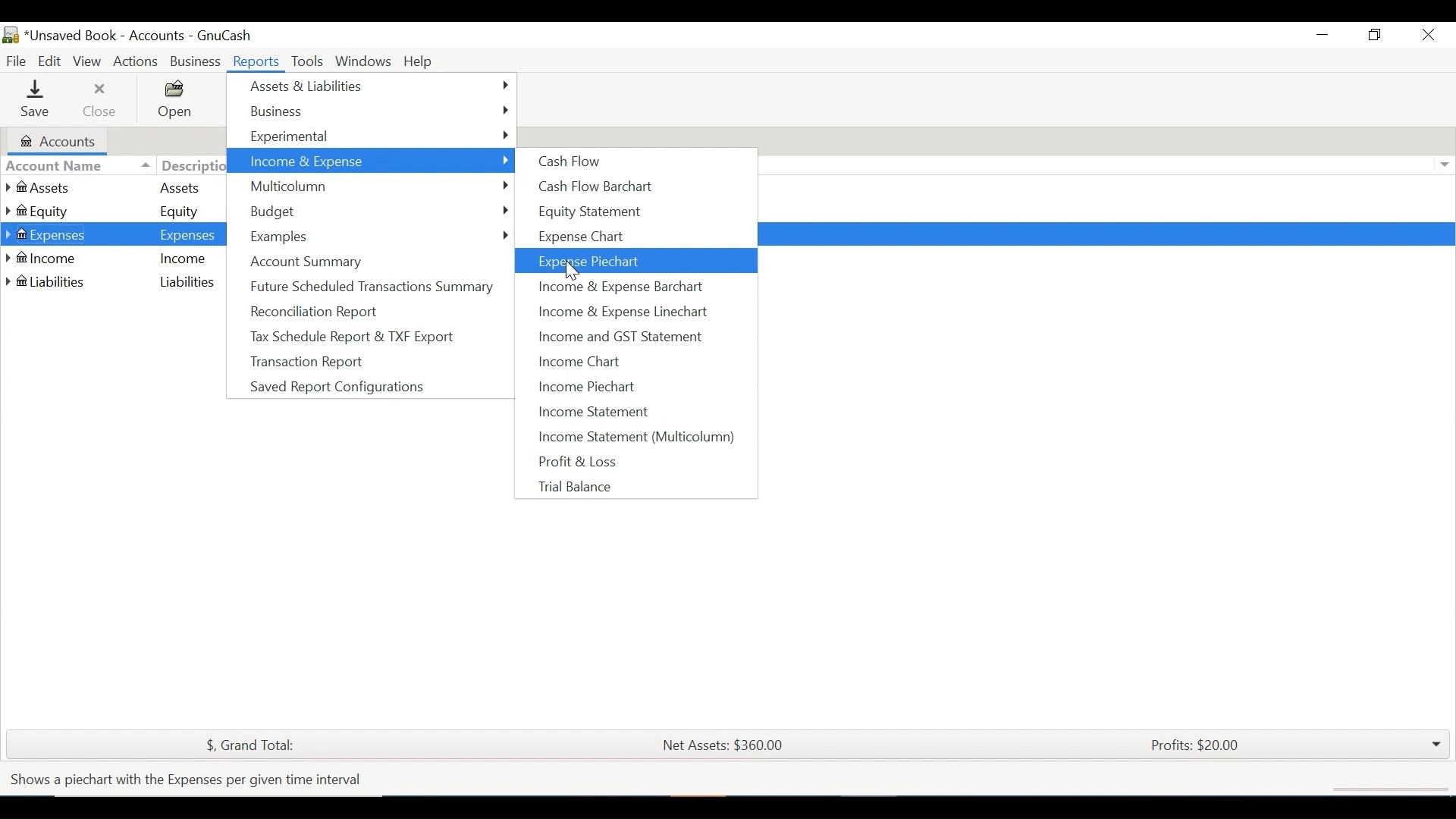  What do you see at coordinates (583, 212) in the screenshot?
I see `Equity Statement ` at bounding box center [583, 212].